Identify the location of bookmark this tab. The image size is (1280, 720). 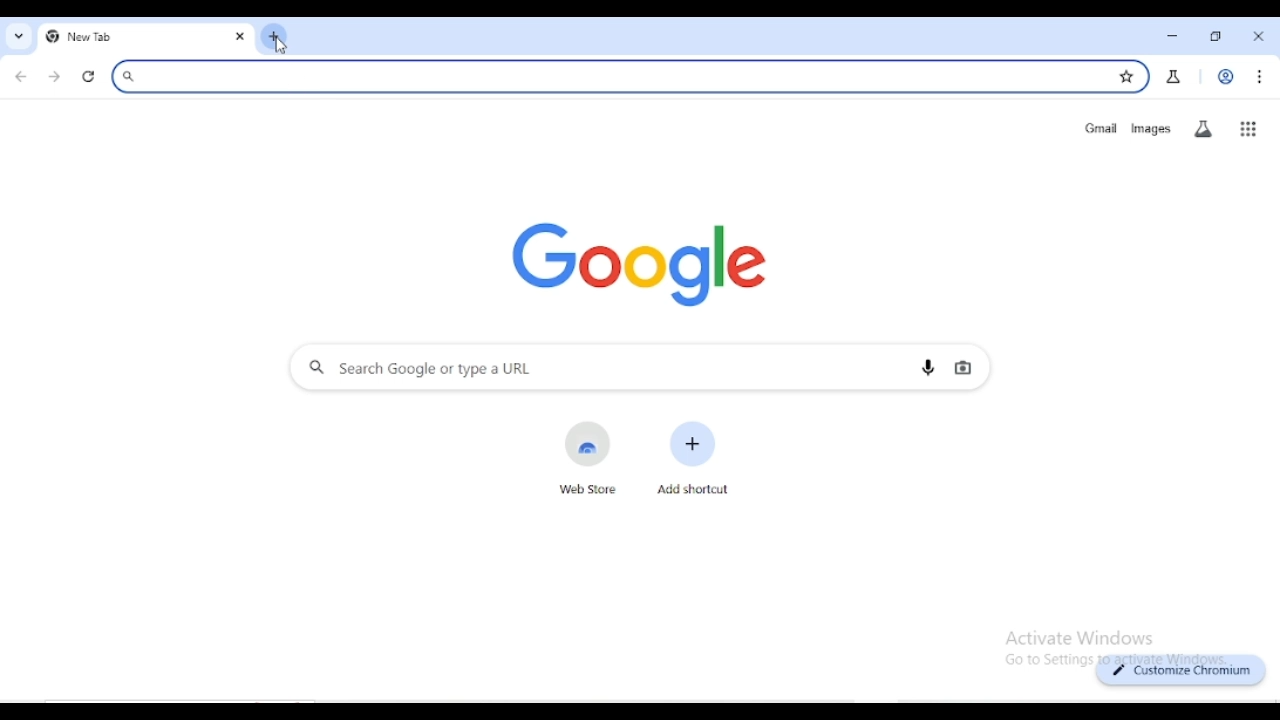
(1126, 76).